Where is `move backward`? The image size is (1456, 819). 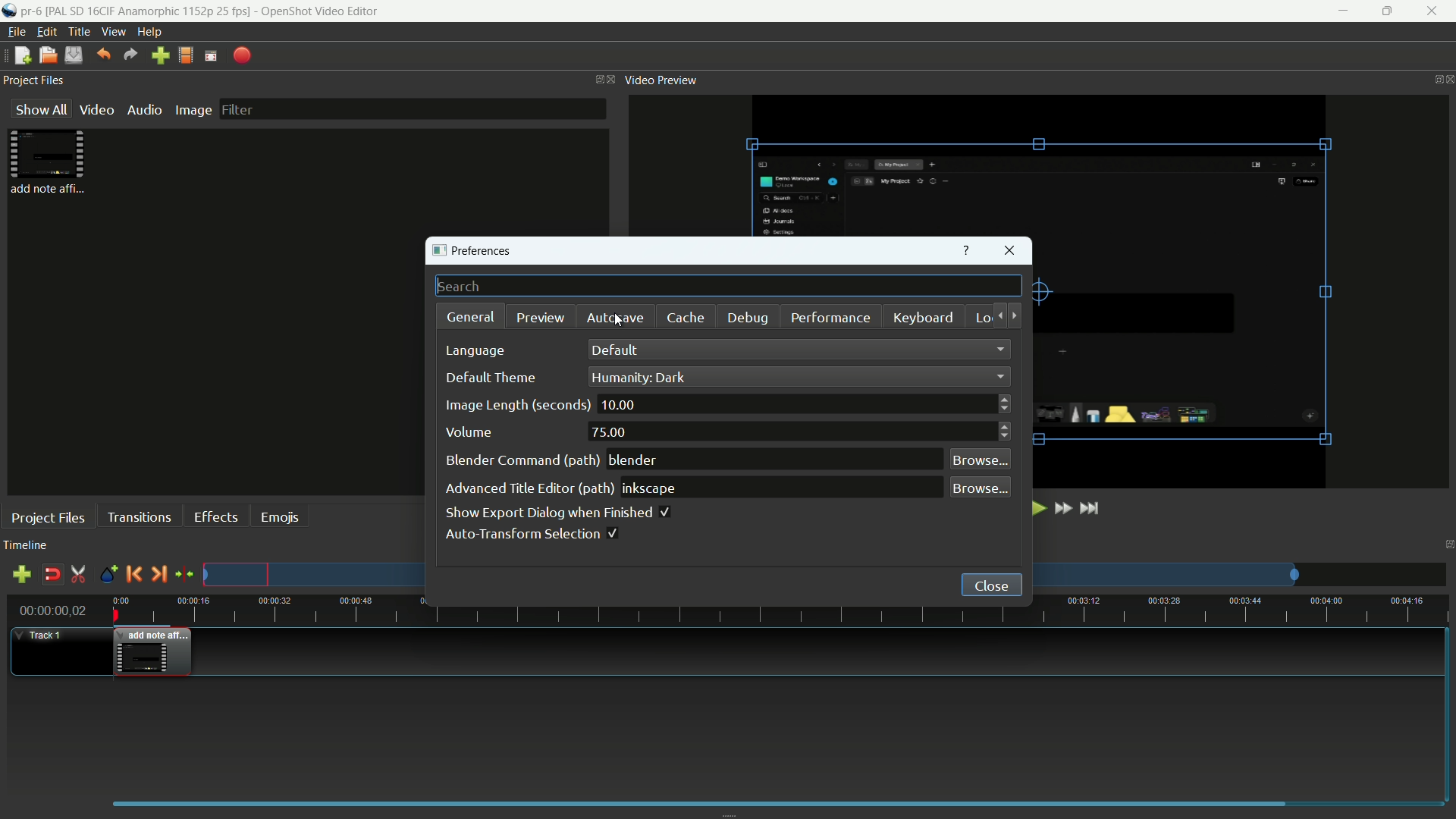 move backward is located at coordinates (996, 315).